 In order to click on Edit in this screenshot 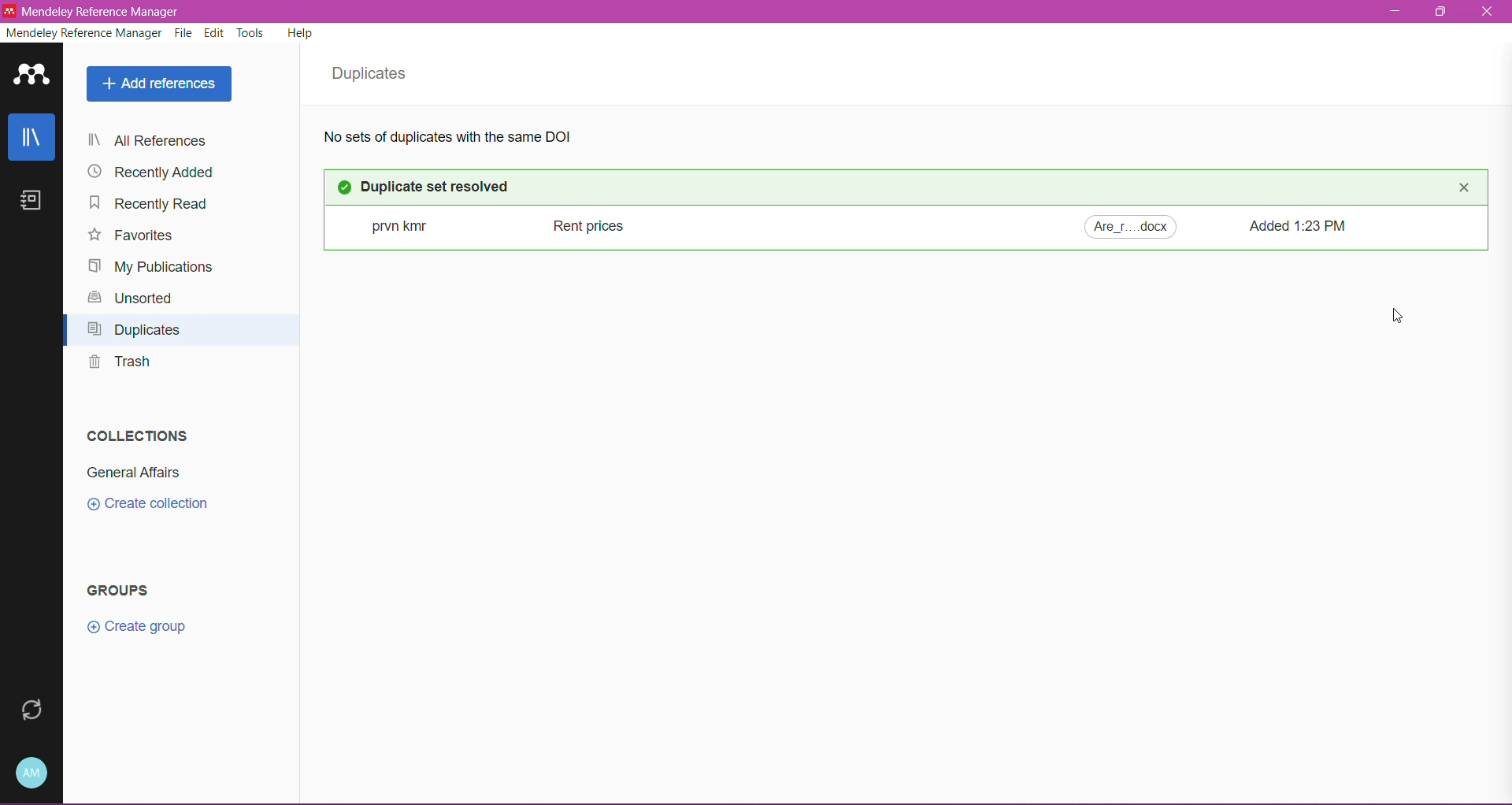, I will do `click(215, 33)`.